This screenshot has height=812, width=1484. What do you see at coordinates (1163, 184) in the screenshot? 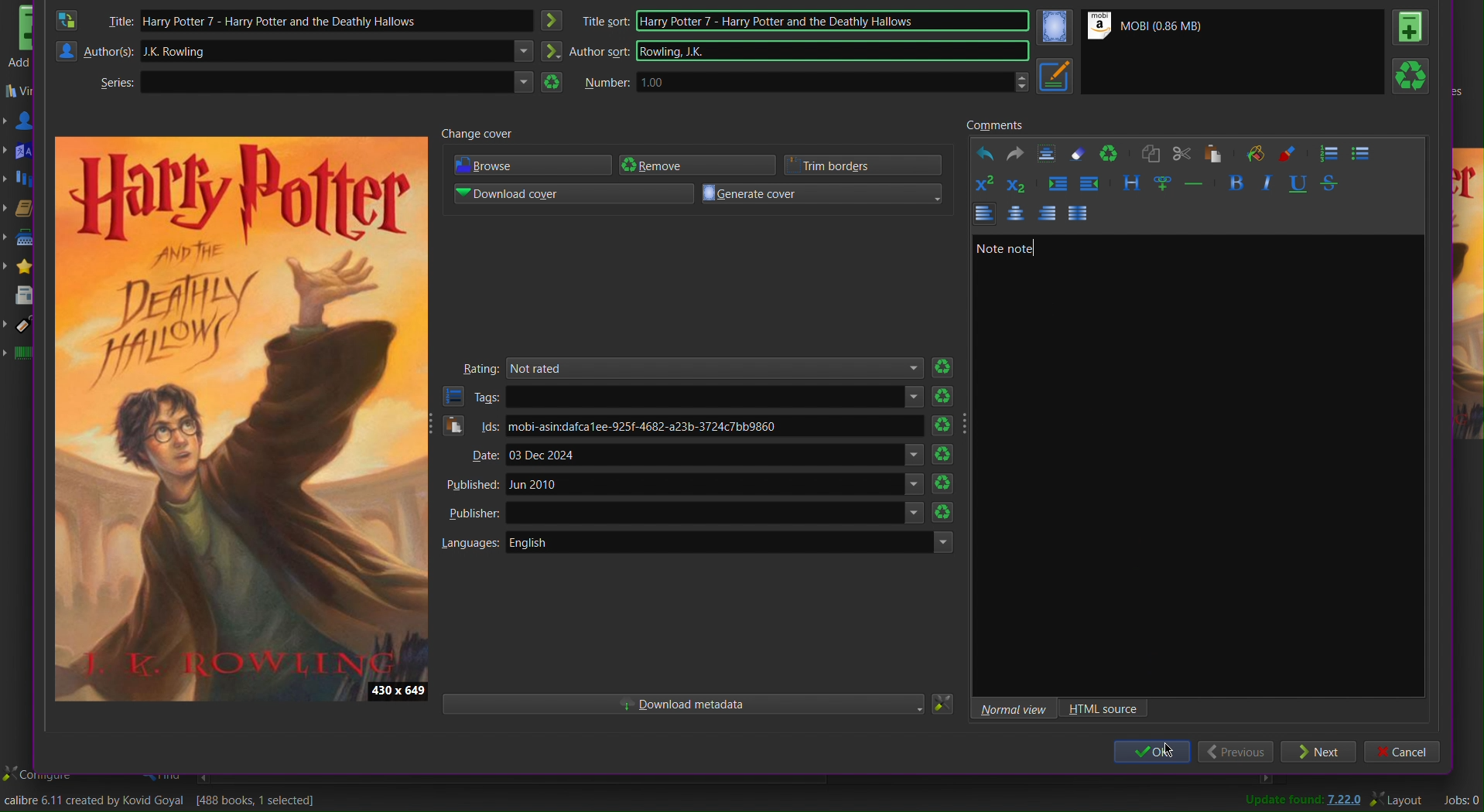
I see `Insert link and image` at bounding box center [1163, 184].